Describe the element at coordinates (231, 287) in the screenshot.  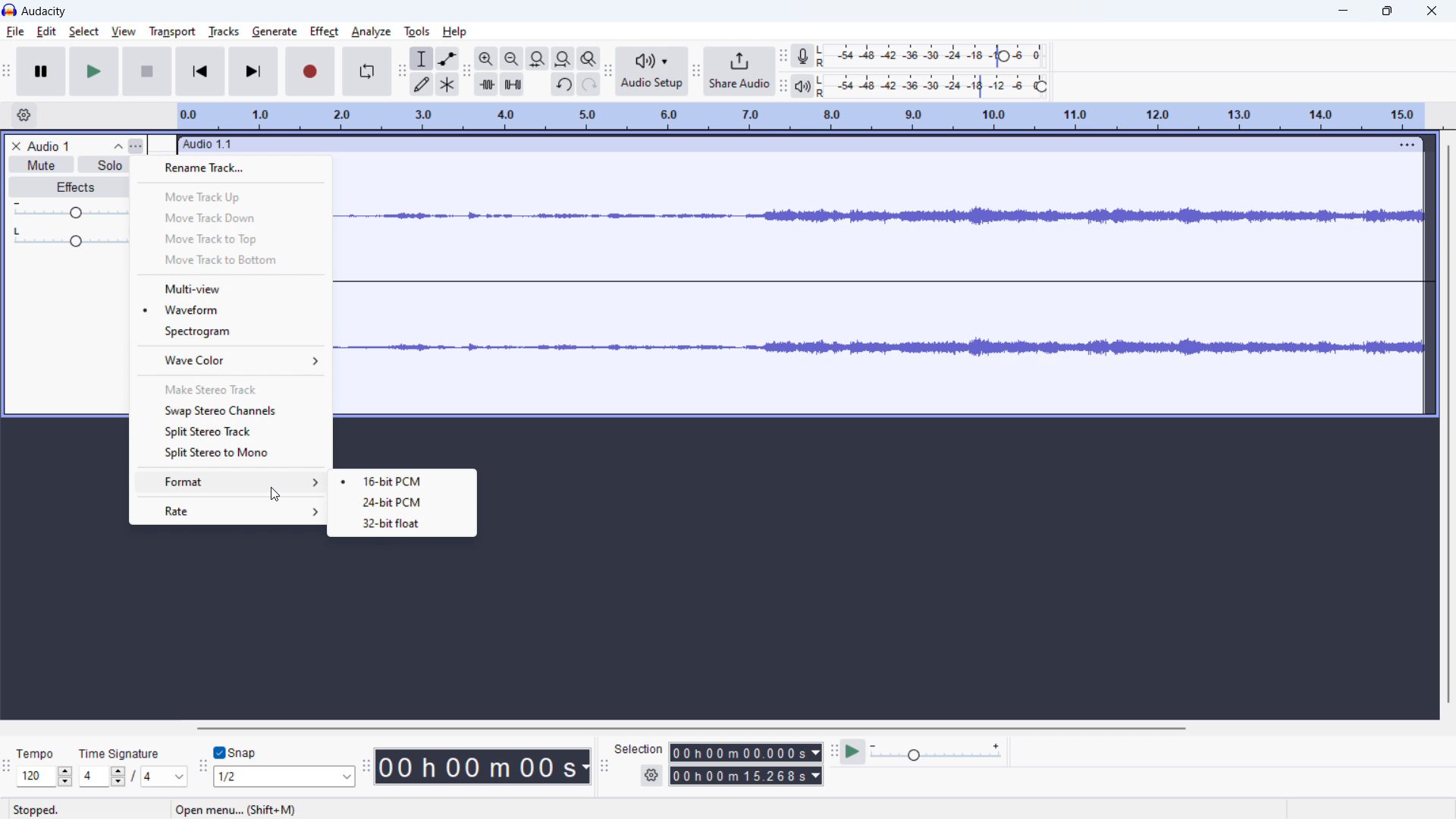
I see `multio-view` at that location.